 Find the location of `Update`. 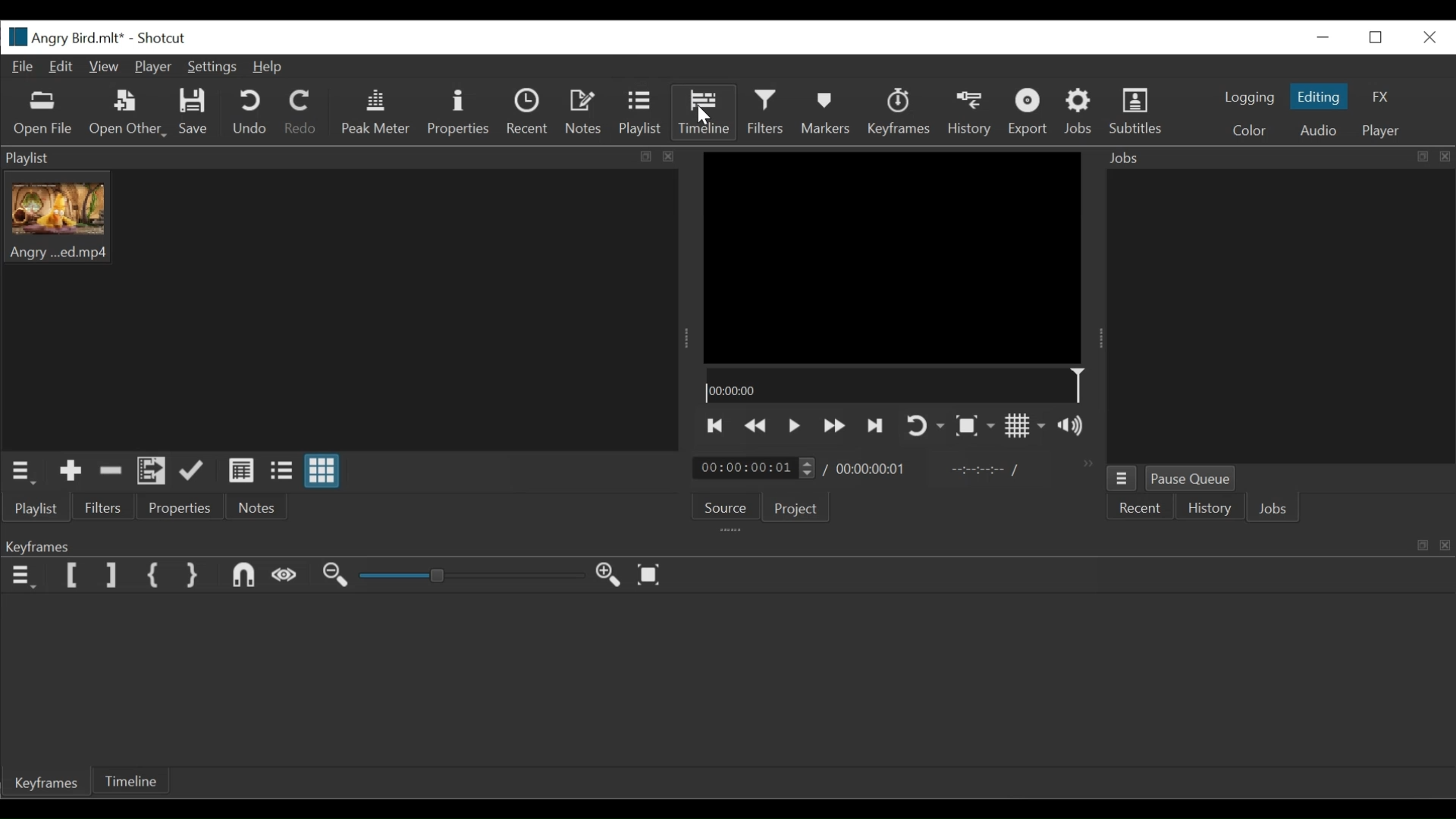

Update is located at coordinates (194, 472).